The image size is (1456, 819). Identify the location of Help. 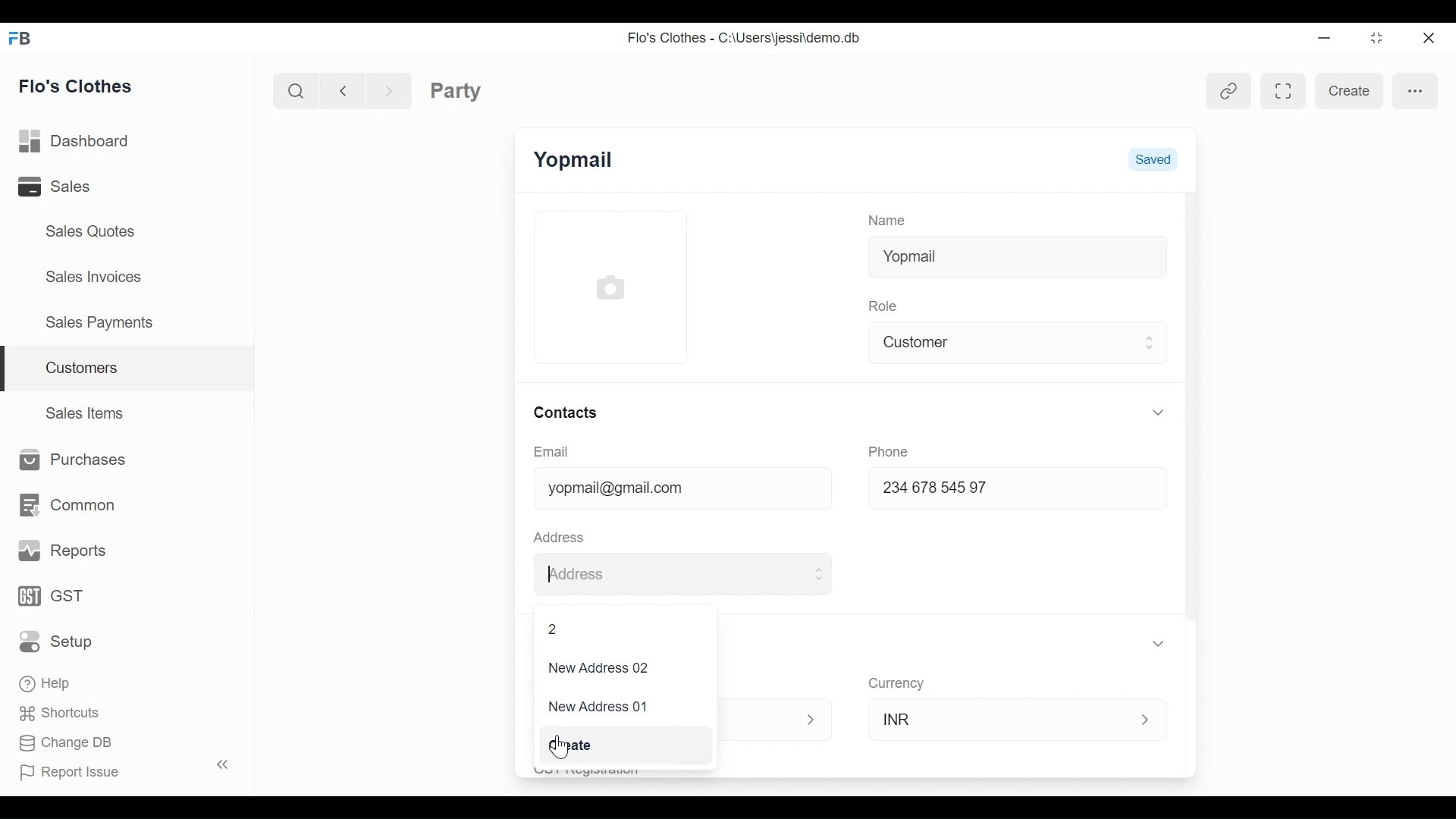
(47, 681).